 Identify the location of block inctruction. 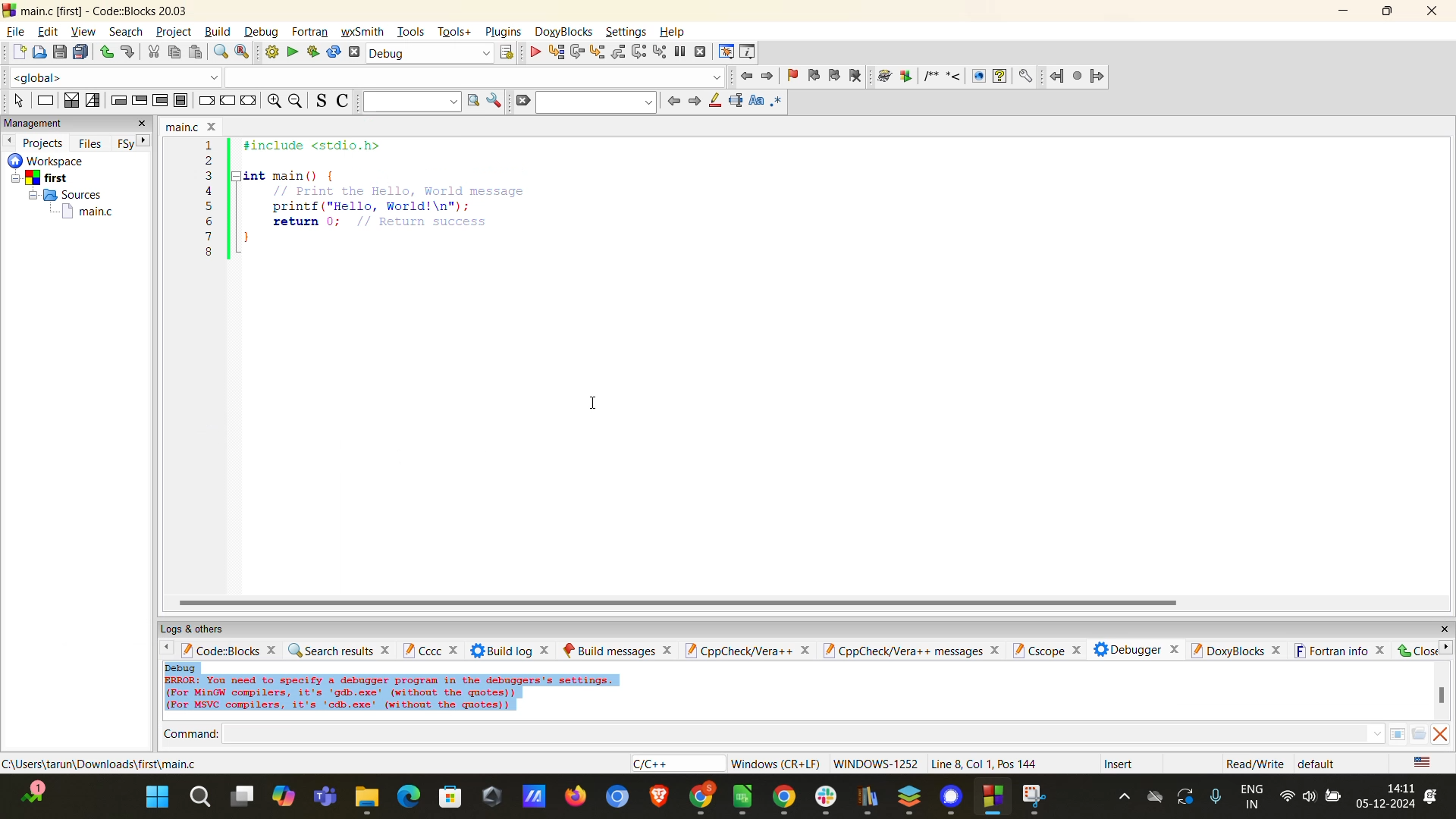
(182, 102).